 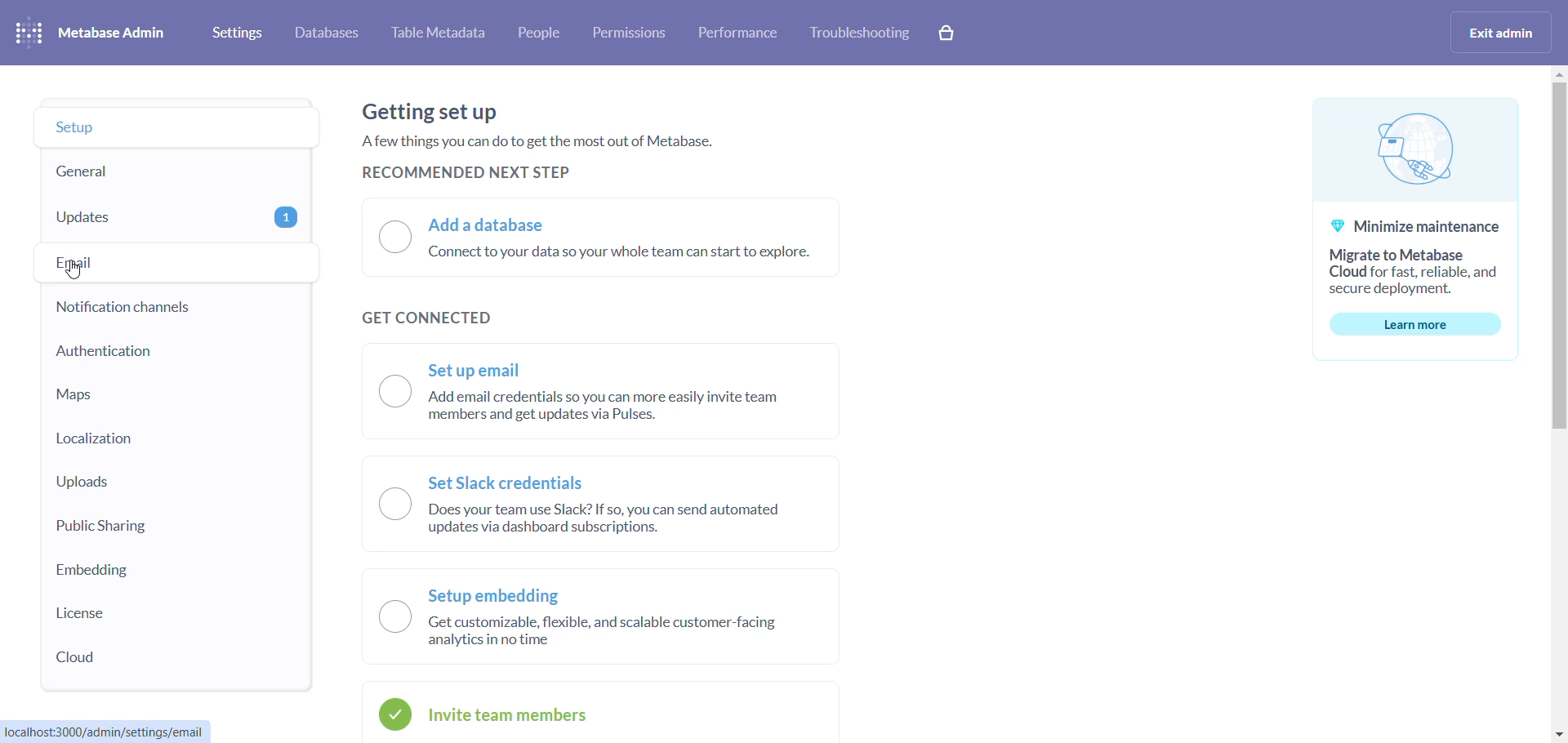 I want to click on permission, so click(x=636, y=33).